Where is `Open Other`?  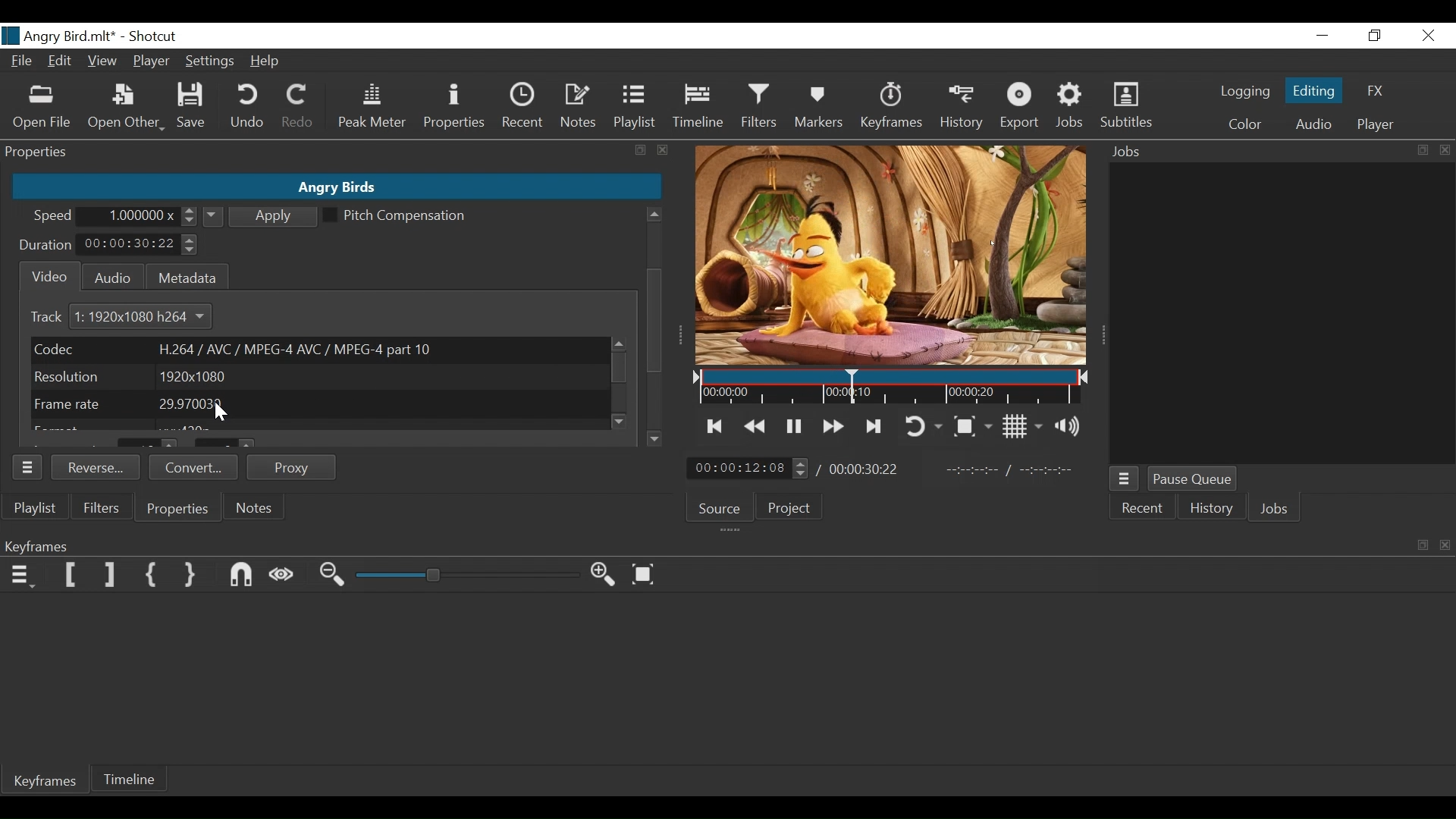 Open Other is located at coordinates (125, 108).